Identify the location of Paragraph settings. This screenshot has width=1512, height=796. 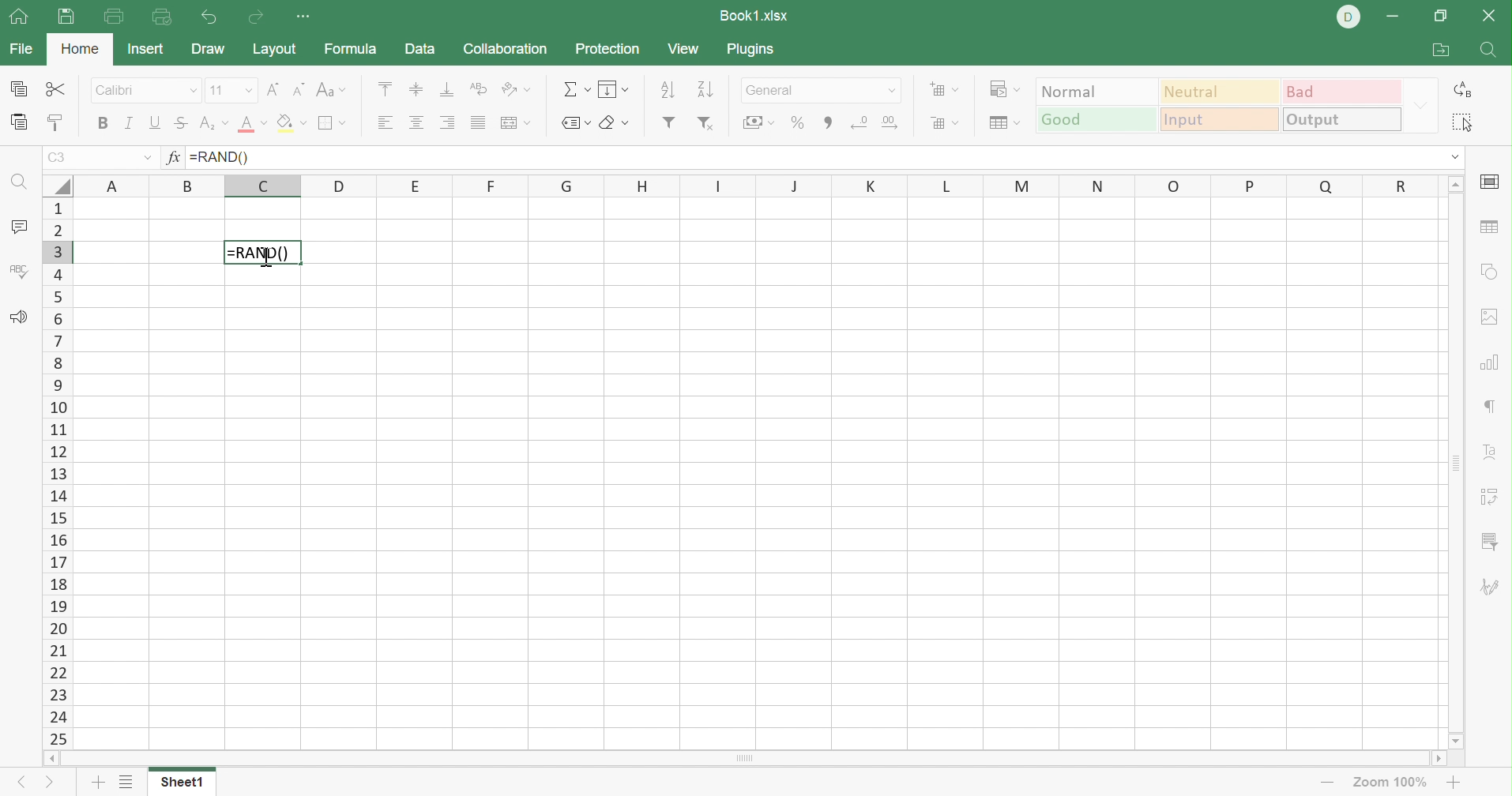
(1491, 405).